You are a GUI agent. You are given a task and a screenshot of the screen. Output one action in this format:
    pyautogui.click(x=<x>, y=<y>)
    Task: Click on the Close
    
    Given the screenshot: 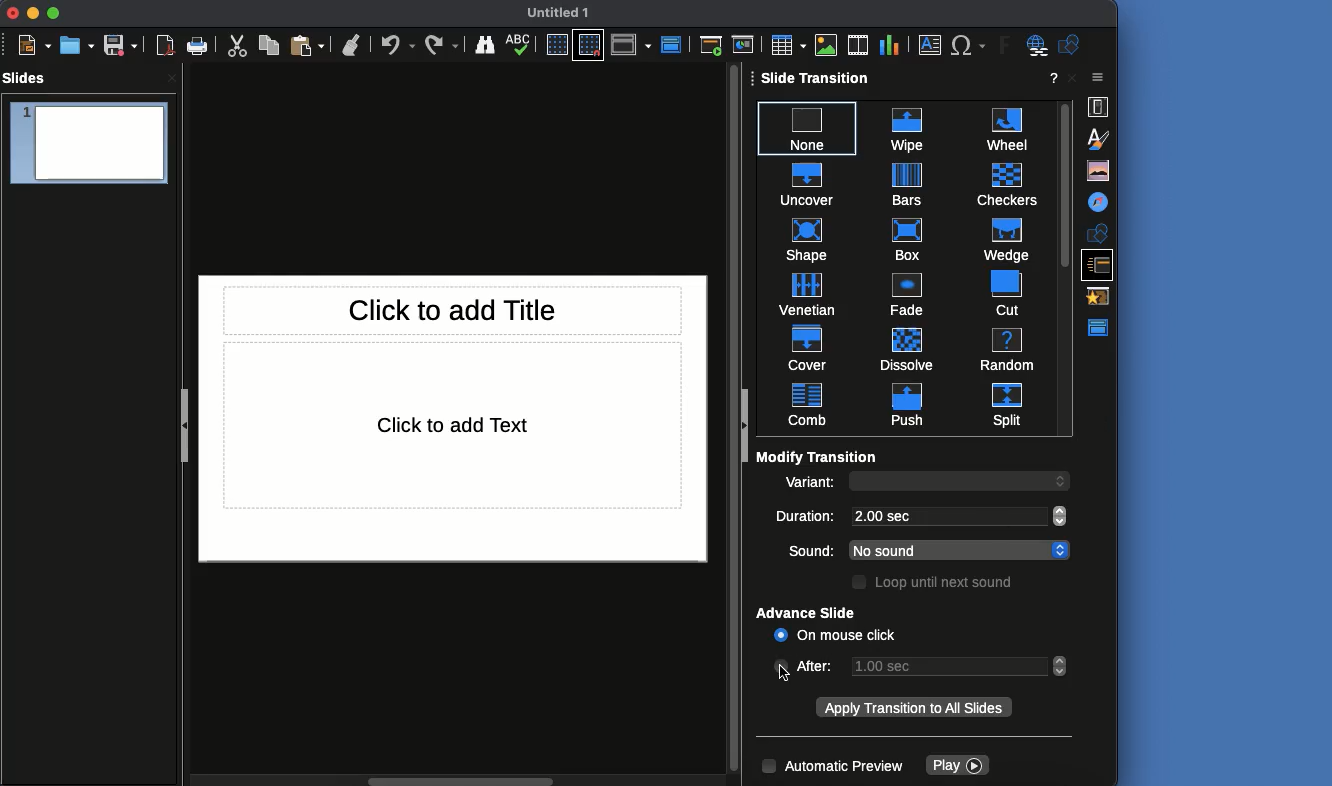 What is the action you would take?
    pyautogui.click(x=16, y=13)
    